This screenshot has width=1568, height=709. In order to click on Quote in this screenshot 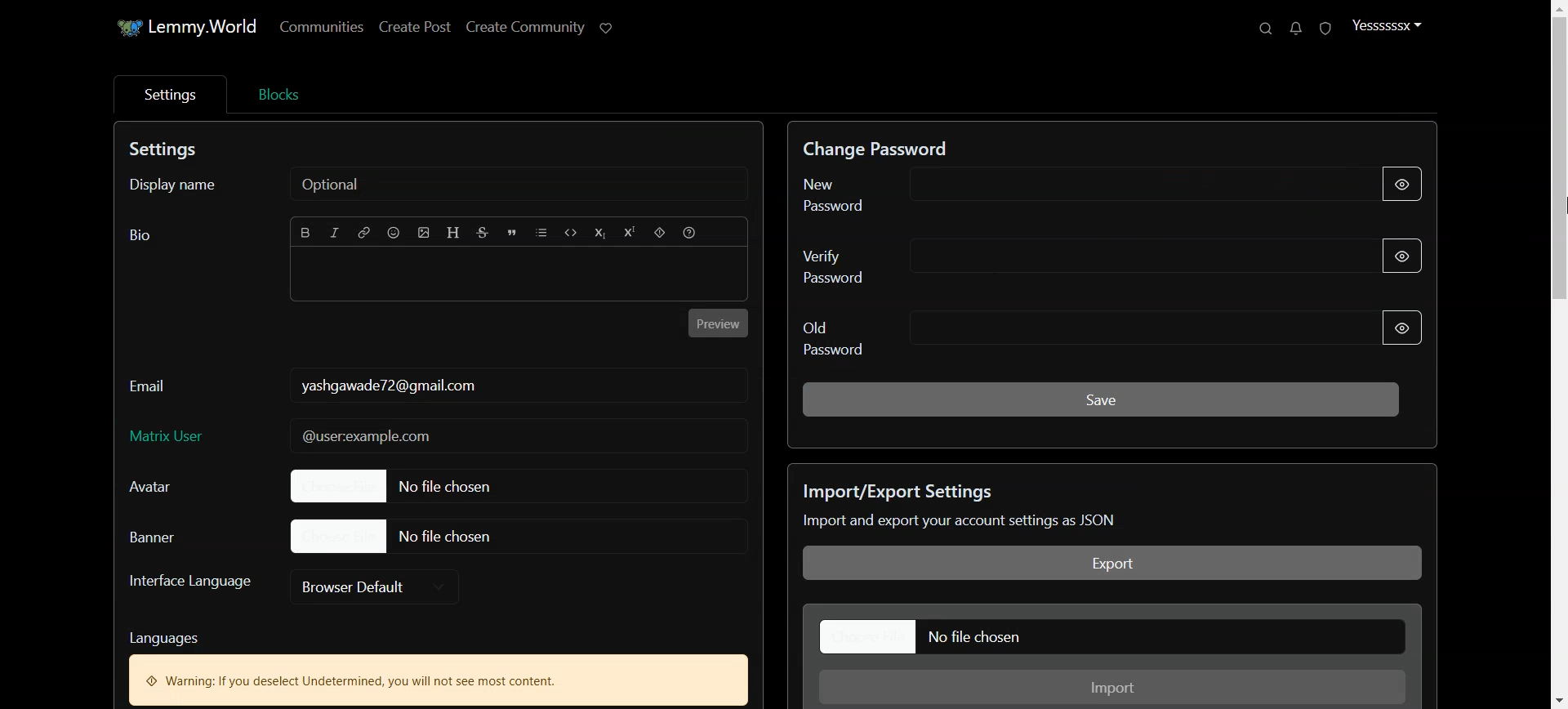, I will do `click(512, 233)`.